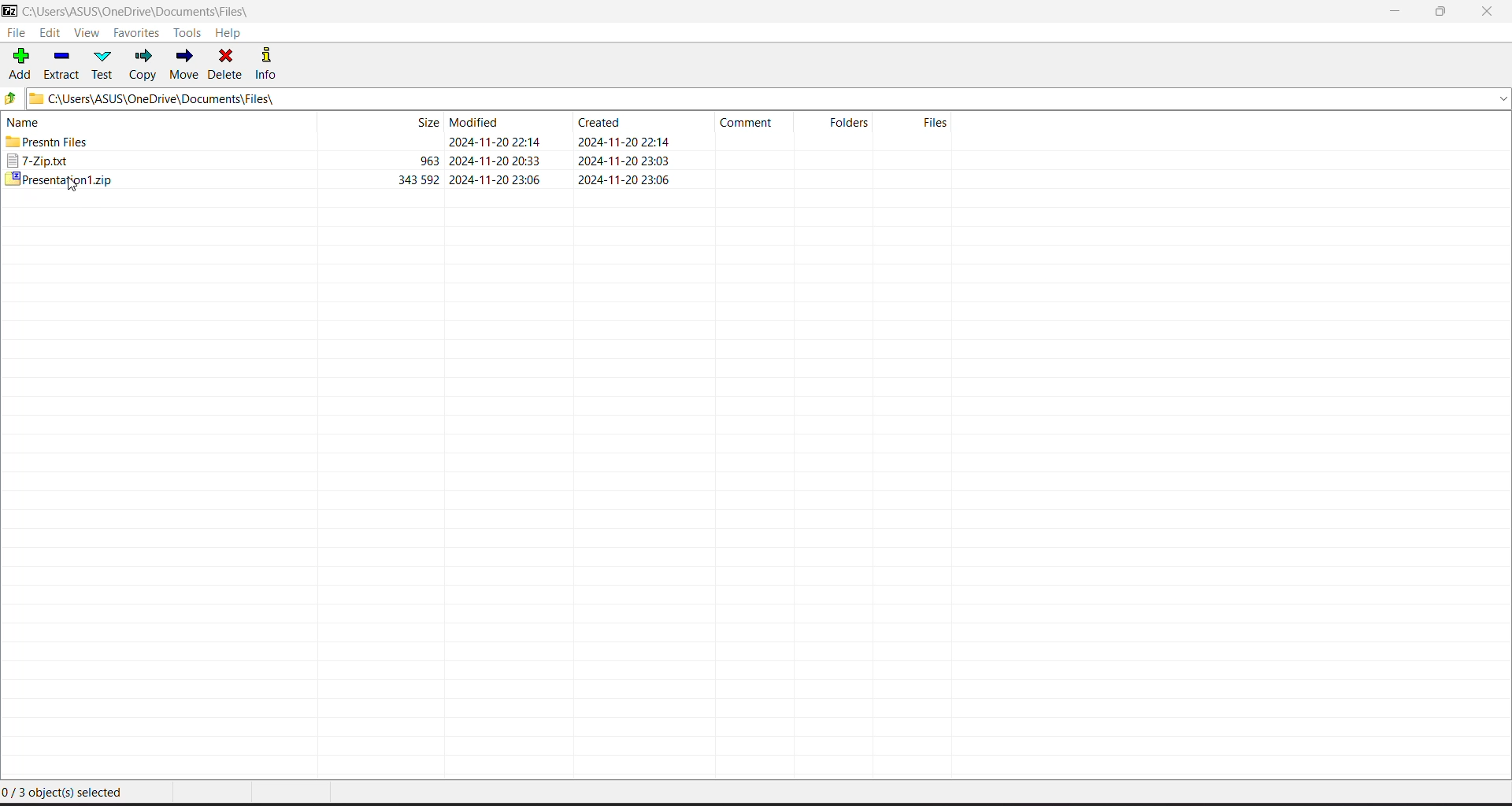 The width and height of the screenshot is (1512, 806). What do you see at coordinates (144, 65) in the screenshot?
I see `Copy` at bounding box center [144, 65].